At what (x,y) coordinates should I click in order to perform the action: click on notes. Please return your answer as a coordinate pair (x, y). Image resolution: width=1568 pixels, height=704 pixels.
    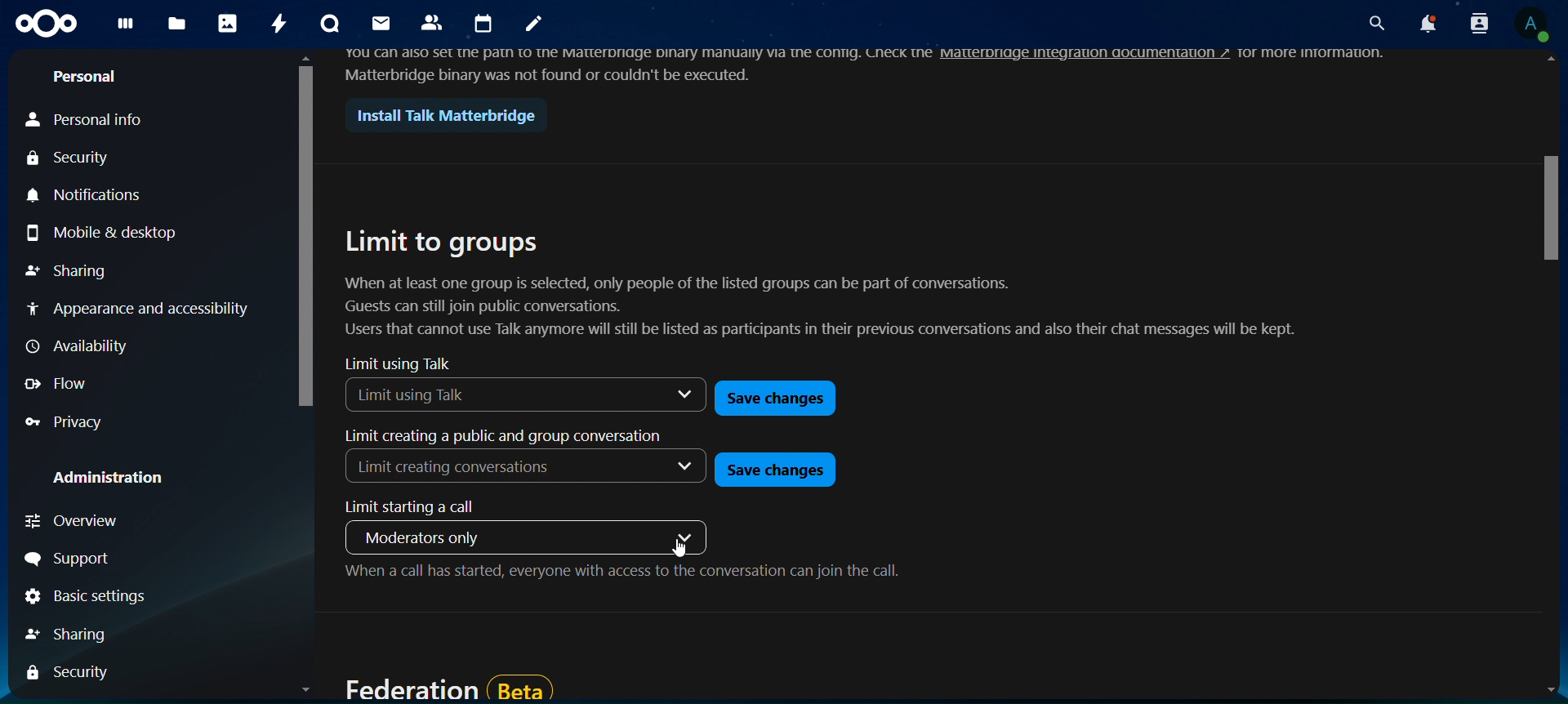
    Looking at the image, I should click on (536, 25).